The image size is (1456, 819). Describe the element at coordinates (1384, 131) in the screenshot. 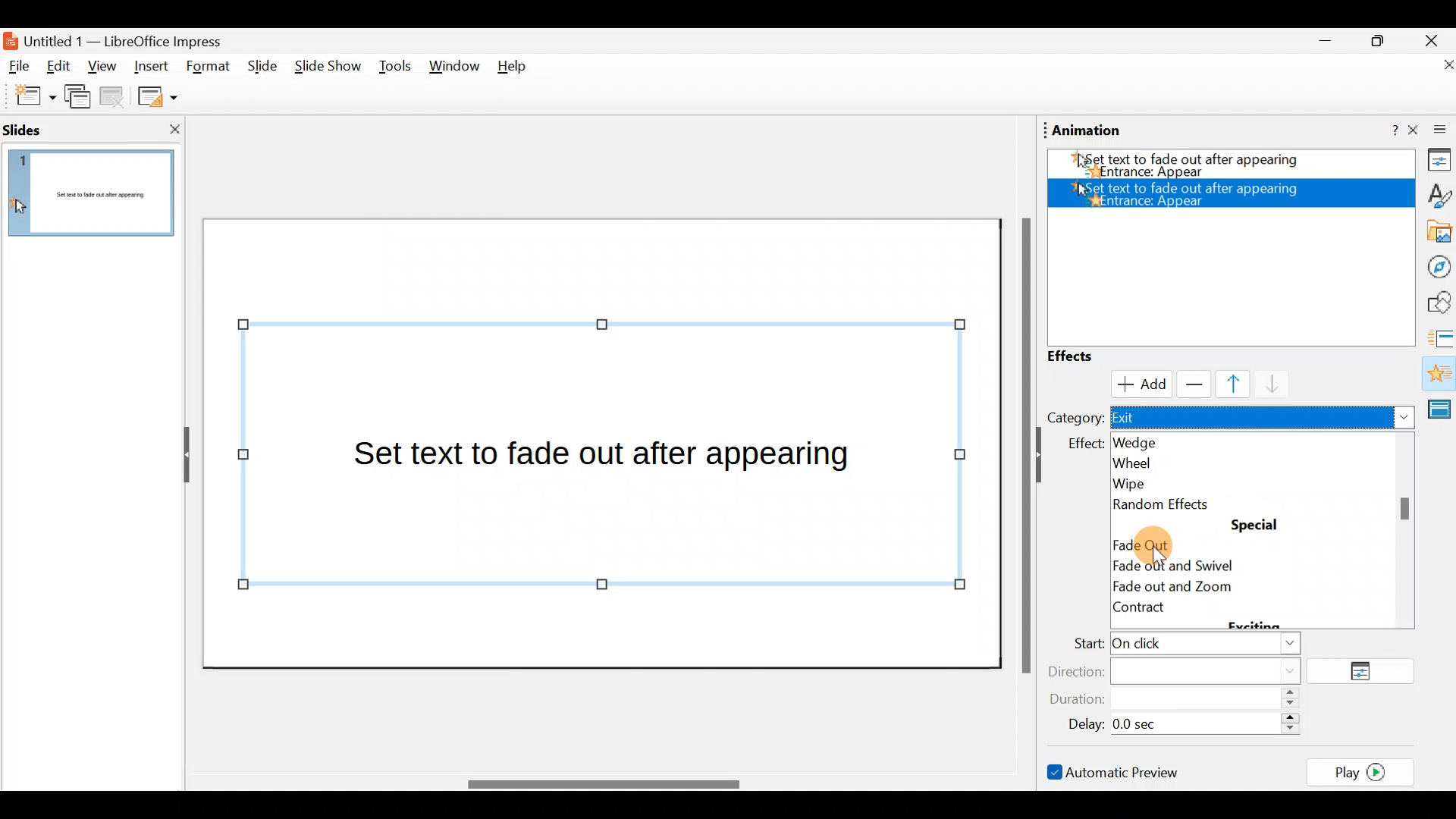

I see `Help` at that location.